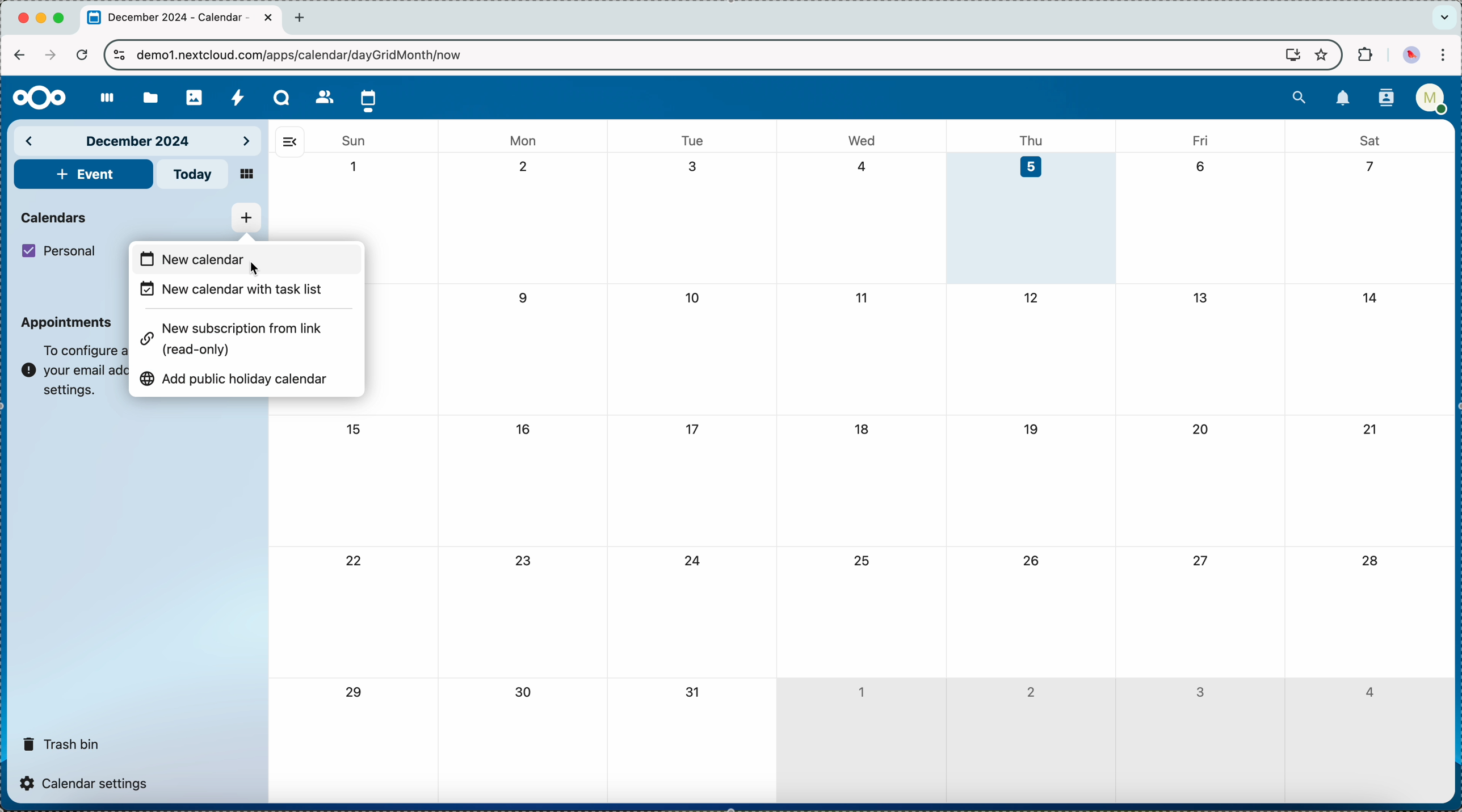 Image resolution: width=1462 pixels, height=812 pixels. Describe the element at coordinates (247, 175) in the screenshot. I see `mosaic view` at that location.